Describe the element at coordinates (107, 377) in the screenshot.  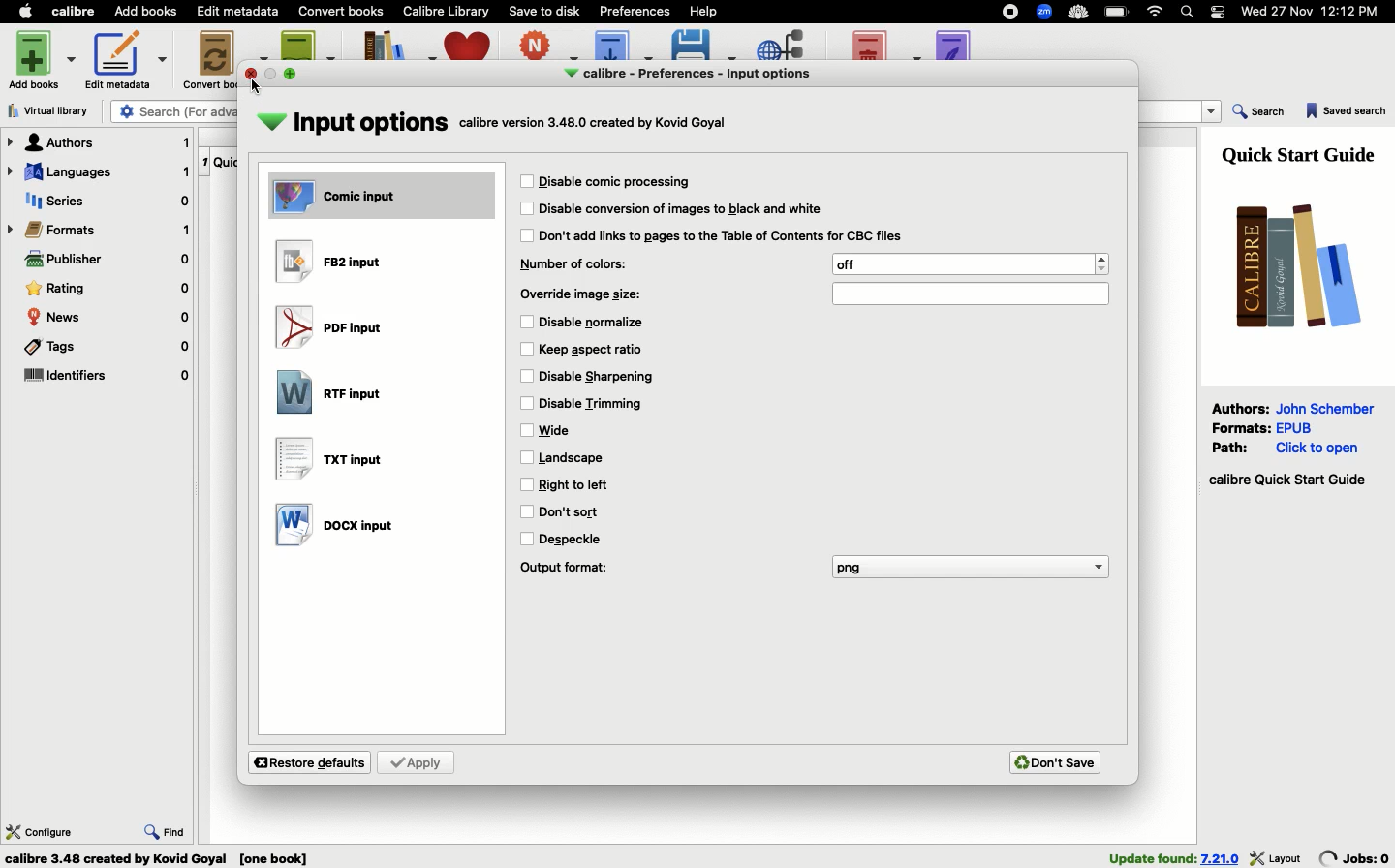
I see `Identifiers` at that location.